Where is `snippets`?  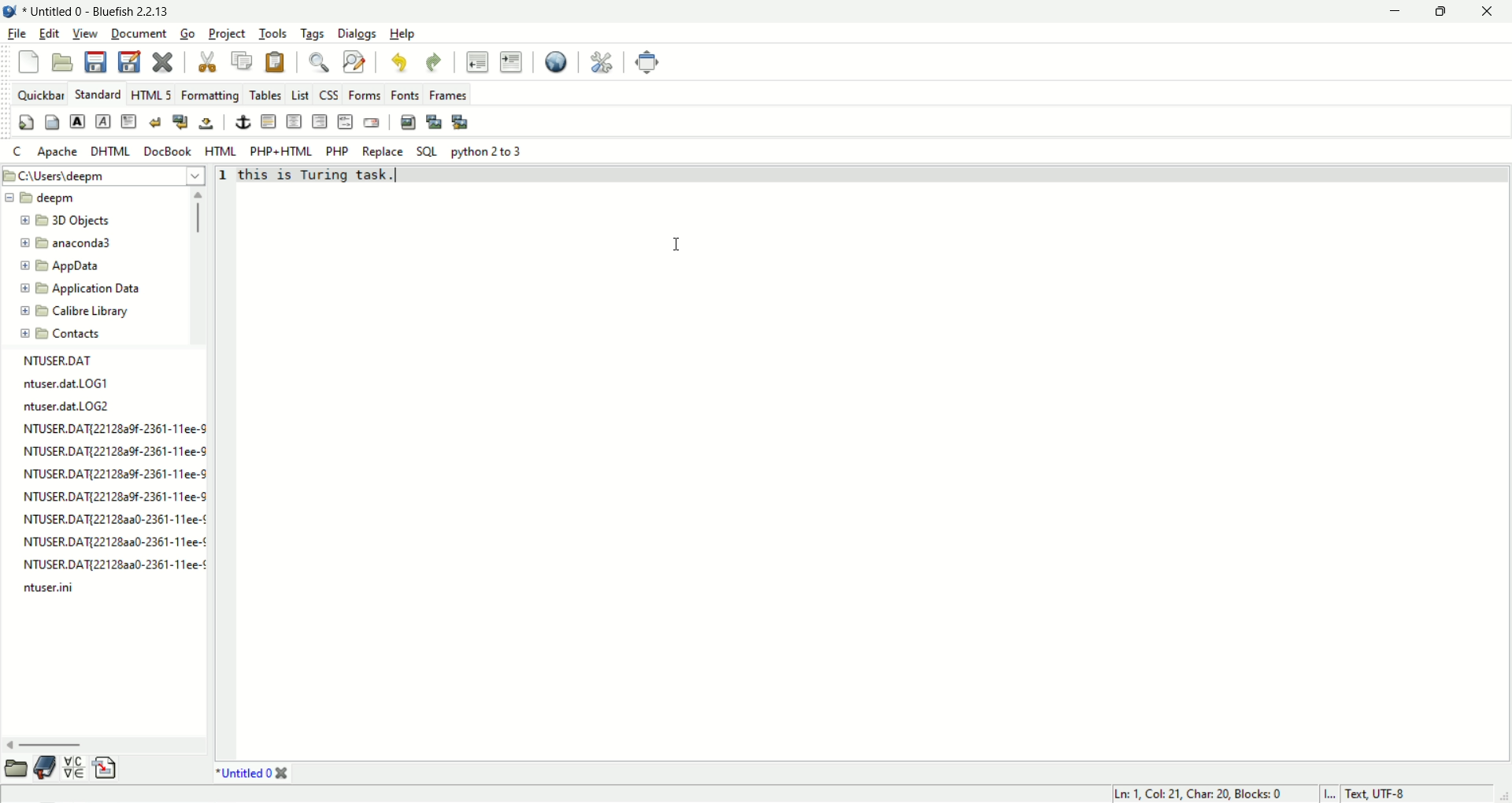
snippets is located at coordinates (106, 771).